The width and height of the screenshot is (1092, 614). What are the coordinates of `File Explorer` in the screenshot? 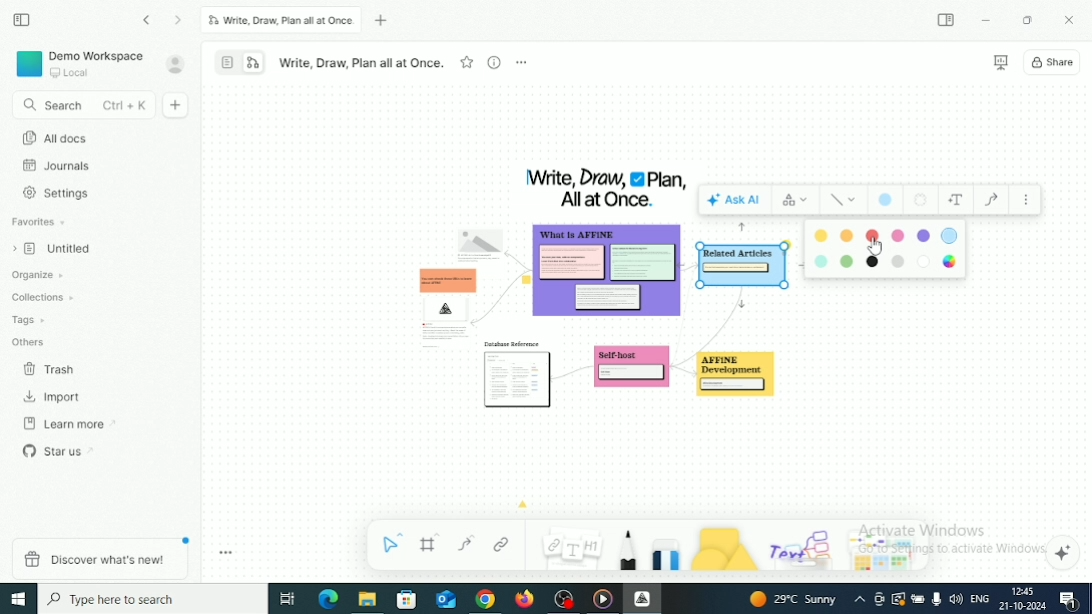 It's located at (367, 600).